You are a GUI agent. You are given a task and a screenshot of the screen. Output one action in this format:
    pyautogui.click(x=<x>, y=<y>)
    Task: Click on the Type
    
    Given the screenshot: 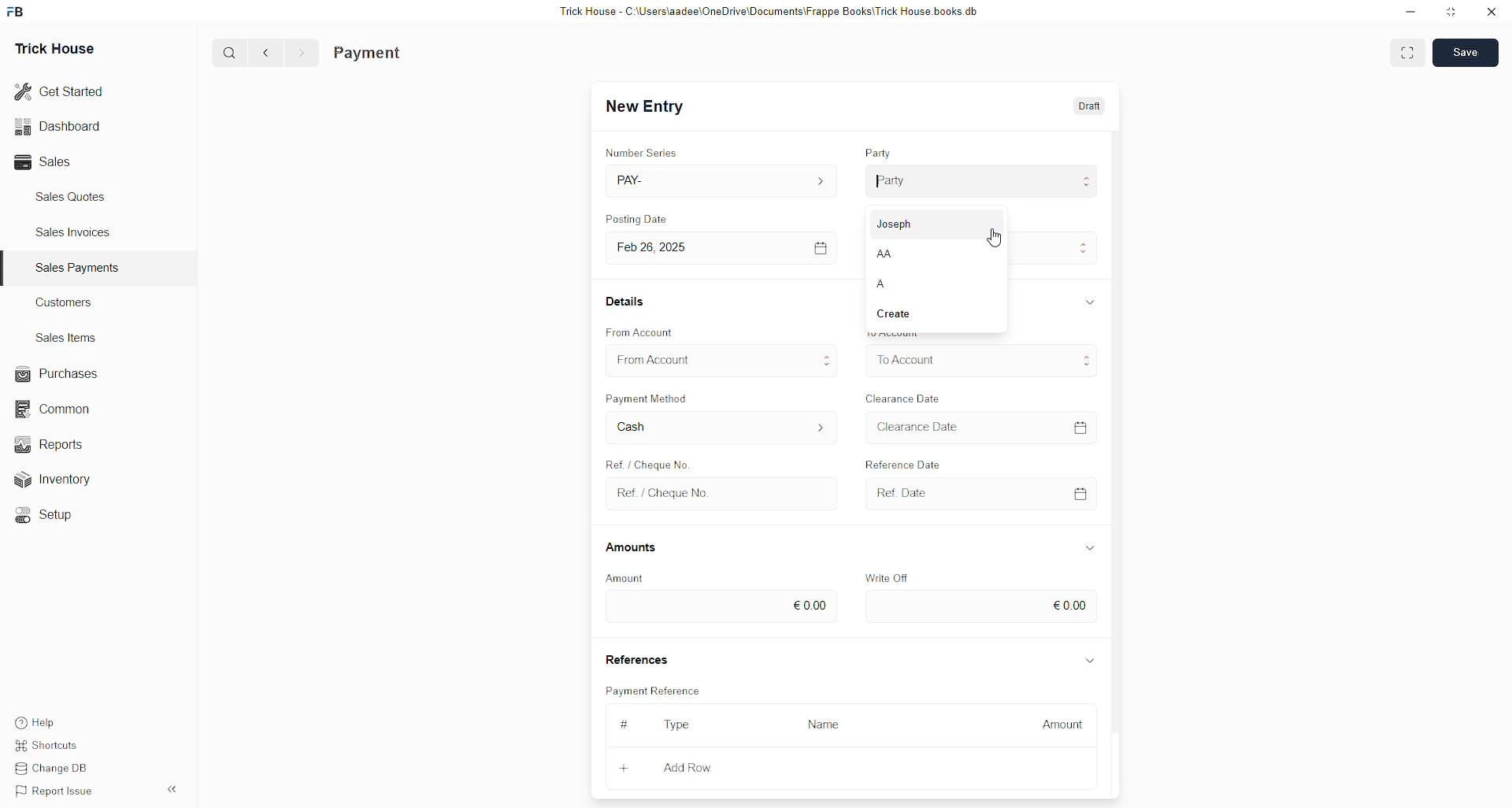 What is the action you would take?
    pyautogui.click(x=677, y=725)
    